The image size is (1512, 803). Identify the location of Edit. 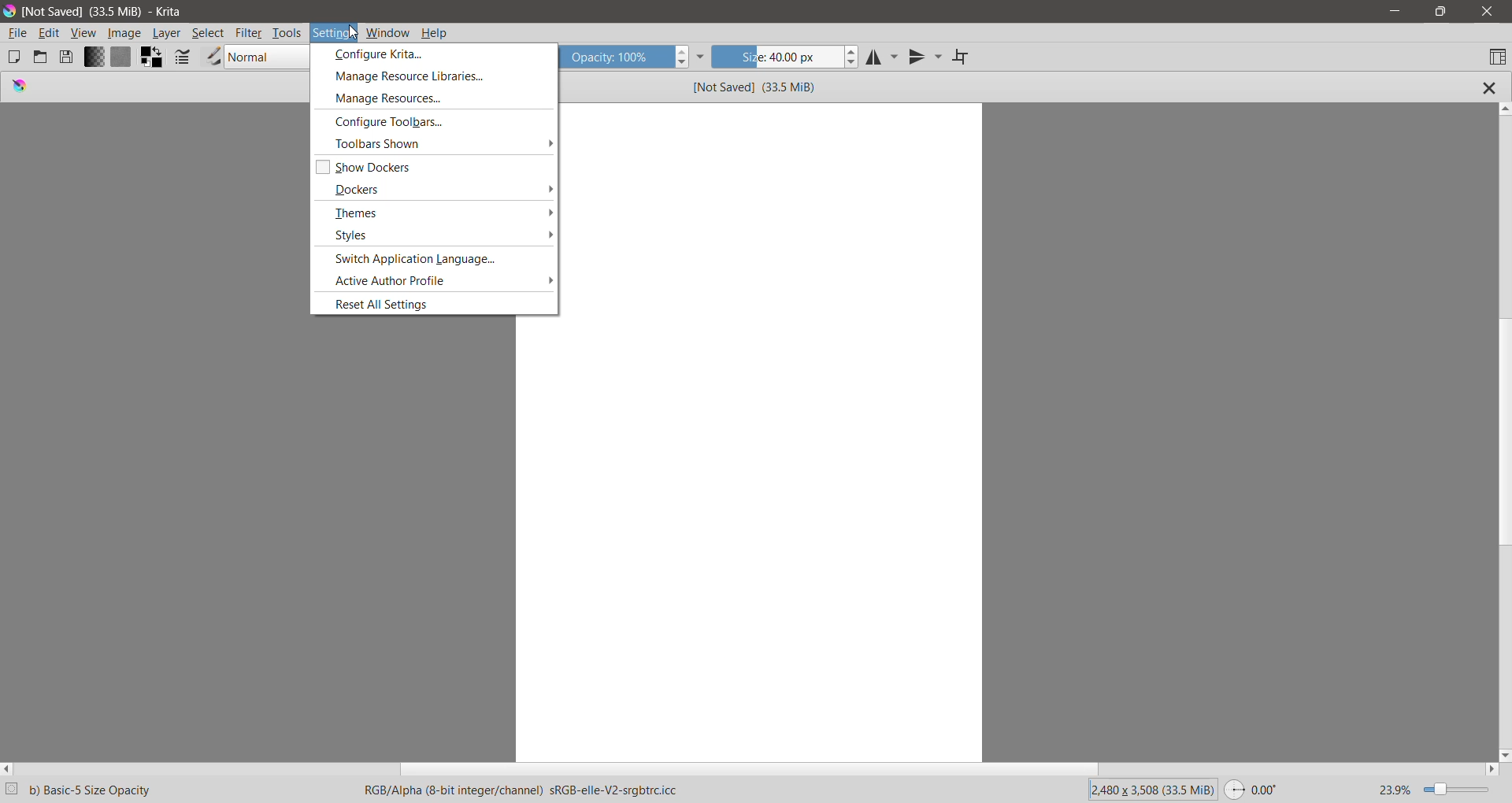
(50, 35).